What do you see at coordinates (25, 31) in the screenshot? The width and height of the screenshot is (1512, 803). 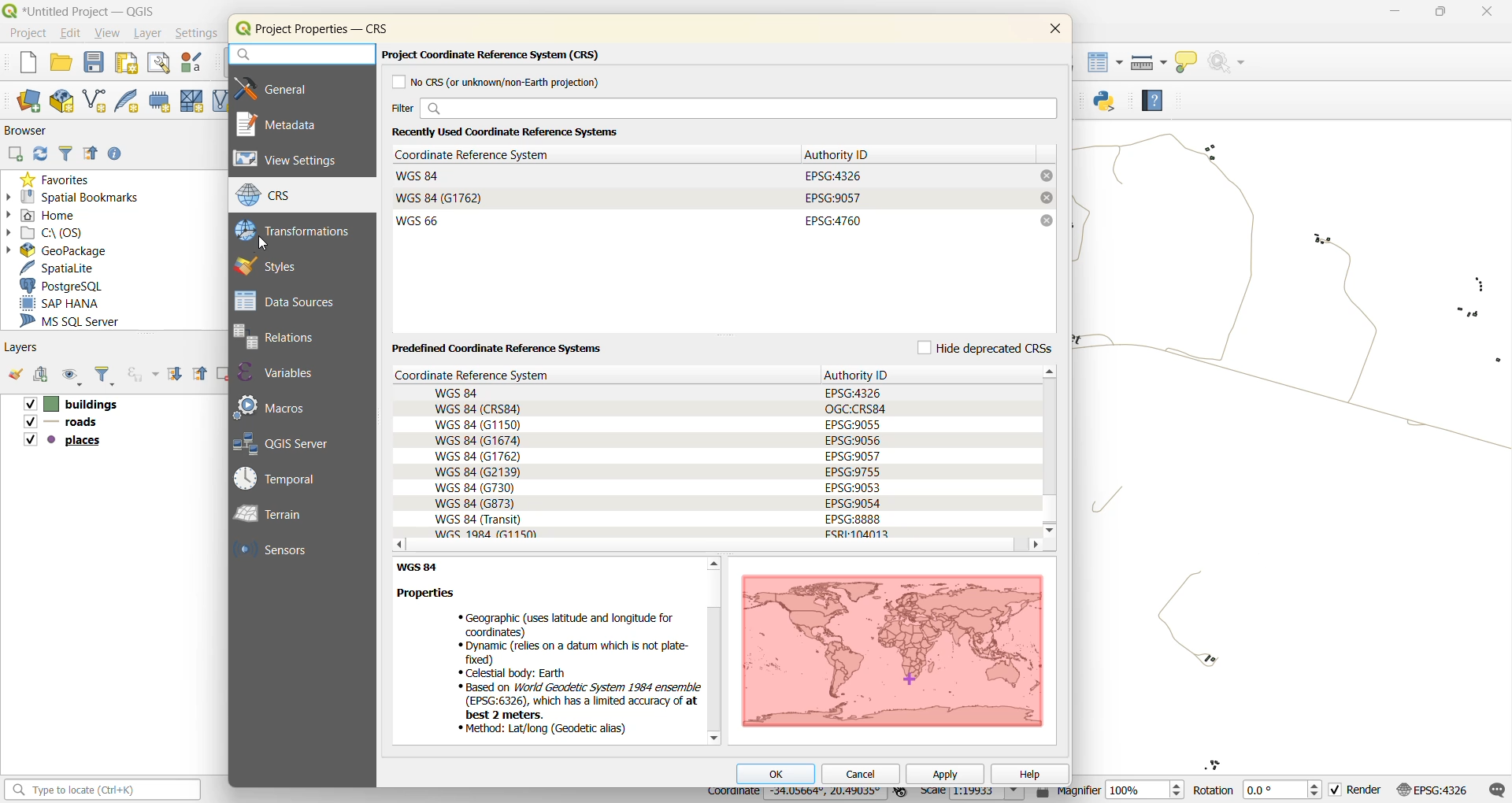 I see `project` at bounding box center [25, 31].